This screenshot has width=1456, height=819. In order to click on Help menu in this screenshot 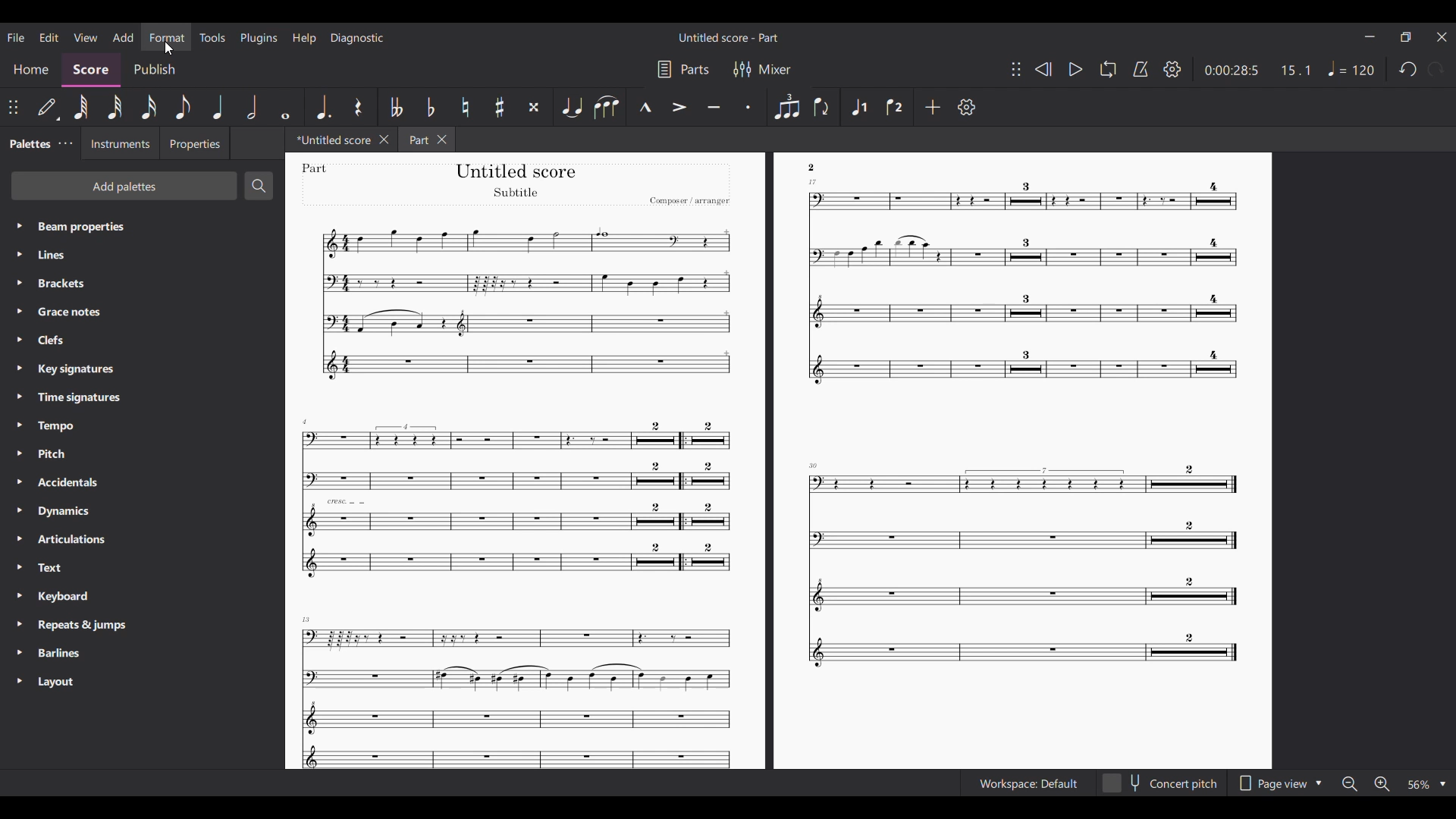, I will do `click(303, 39)`.